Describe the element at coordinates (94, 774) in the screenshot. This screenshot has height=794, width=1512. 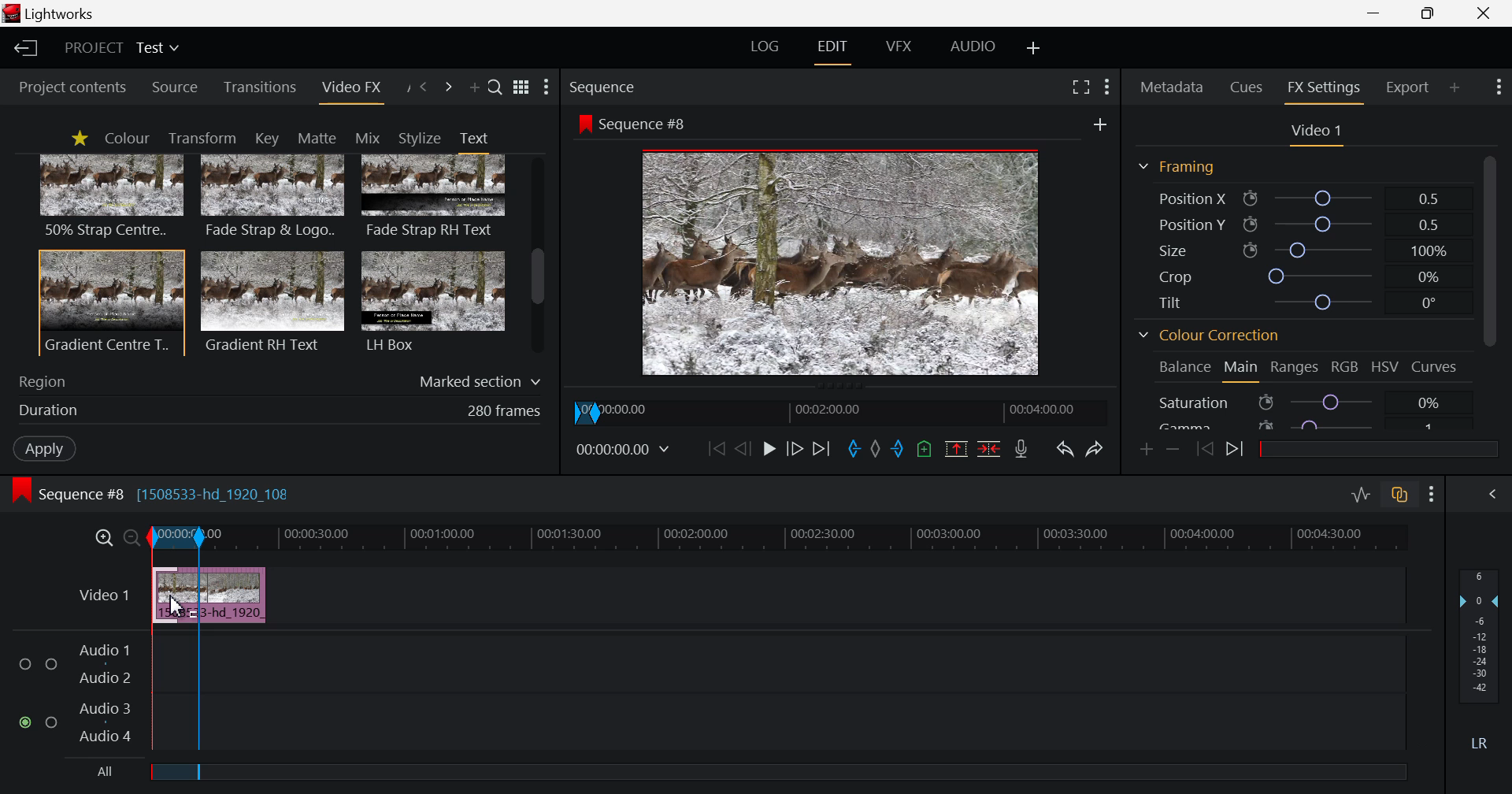
I see `All` at that location.